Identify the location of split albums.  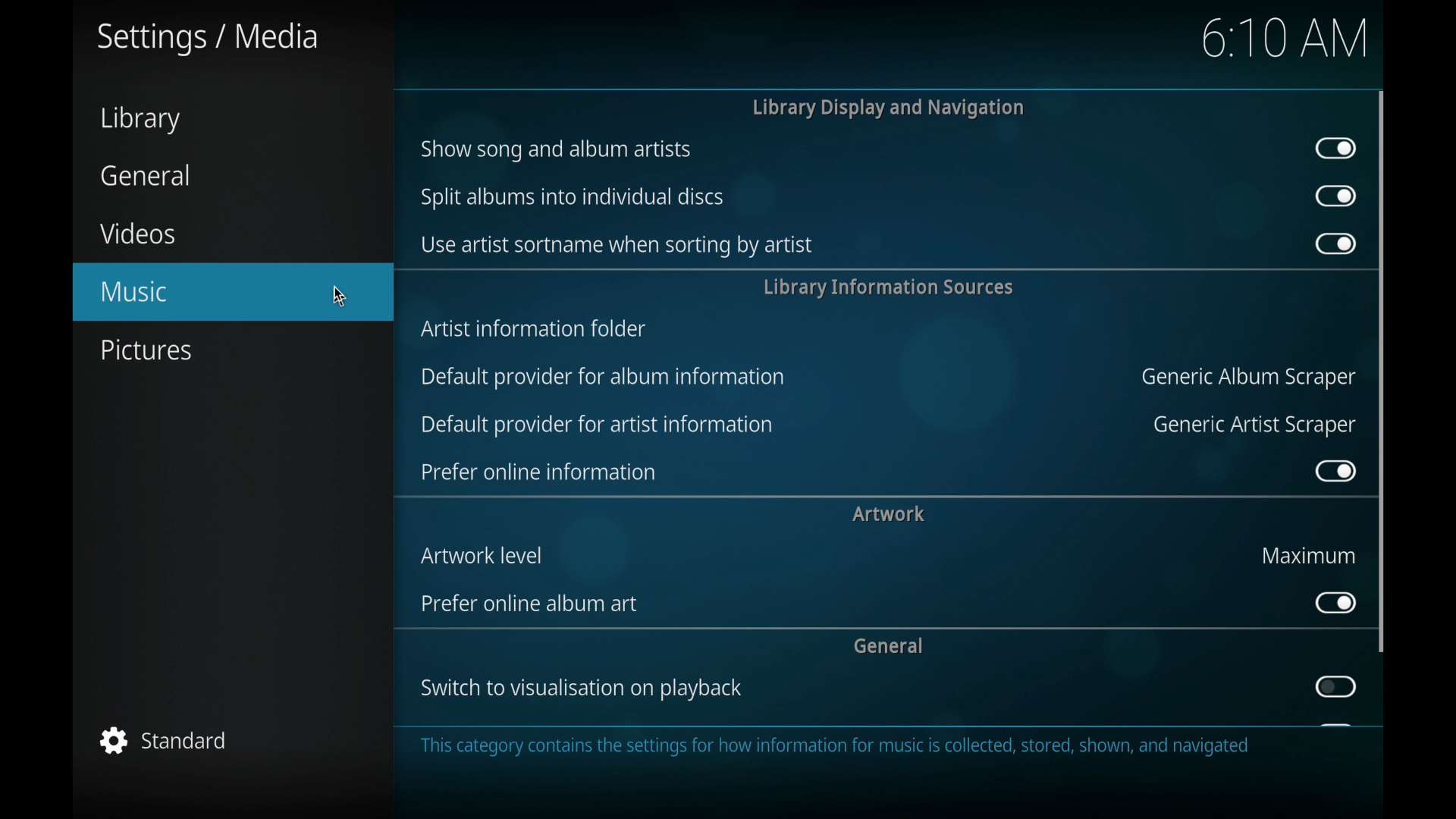
(573, 197).